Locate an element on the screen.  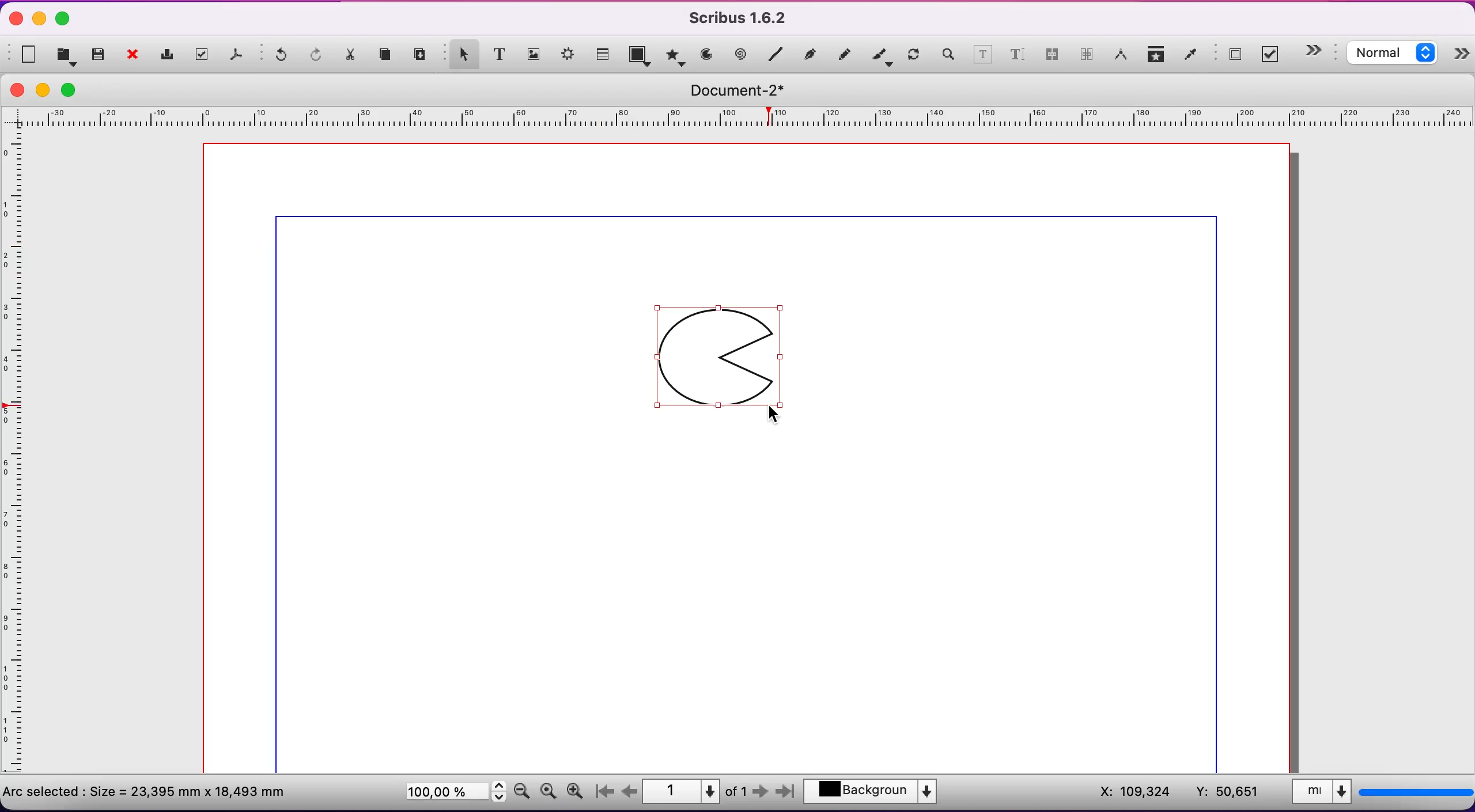
zoom out is located at coordinates (522, 790).